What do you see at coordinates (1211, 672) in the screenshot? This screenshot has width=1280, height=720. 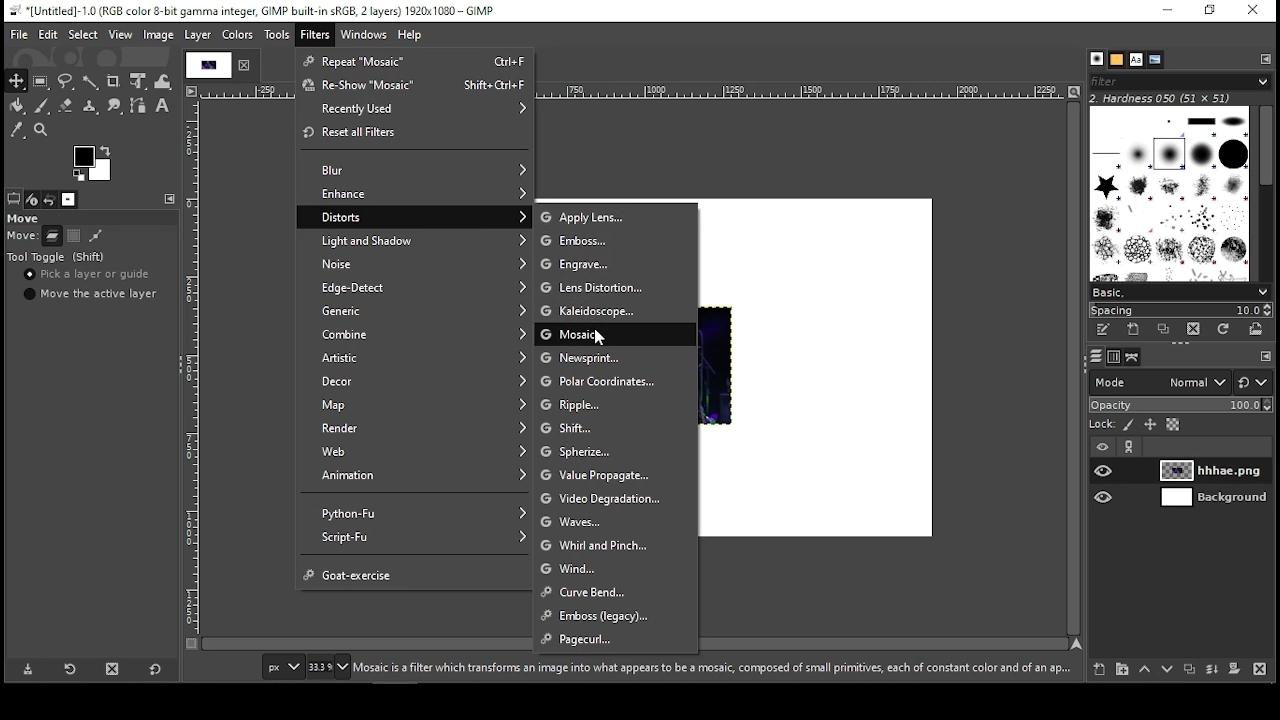 I see `merge layer` at bounding box center [1211, 672].